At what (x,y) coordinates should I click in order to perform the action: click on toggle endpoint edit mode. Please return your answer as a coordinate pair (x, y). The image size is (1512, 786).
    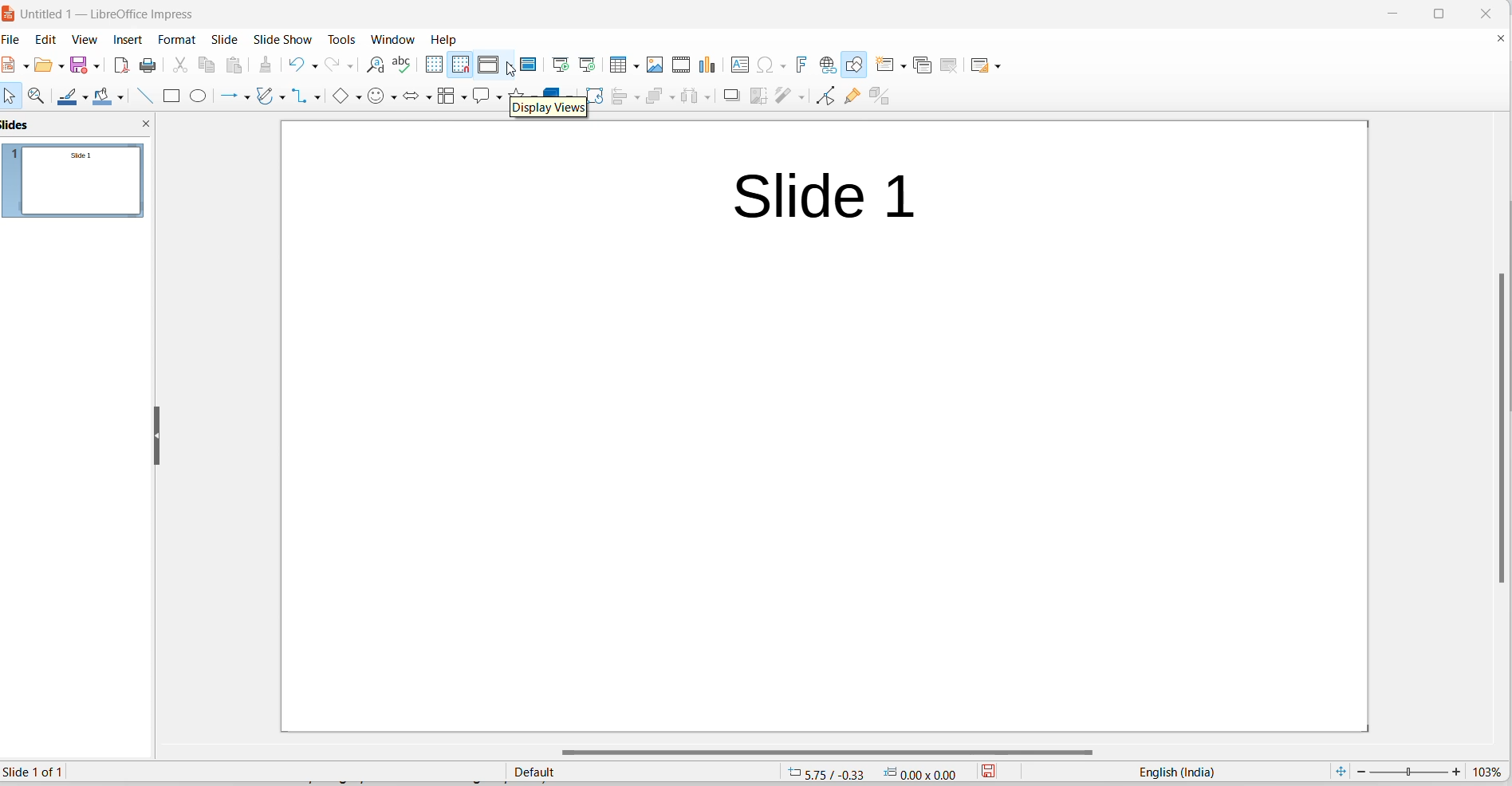
    Looking at the image, I should click on (826, 97).